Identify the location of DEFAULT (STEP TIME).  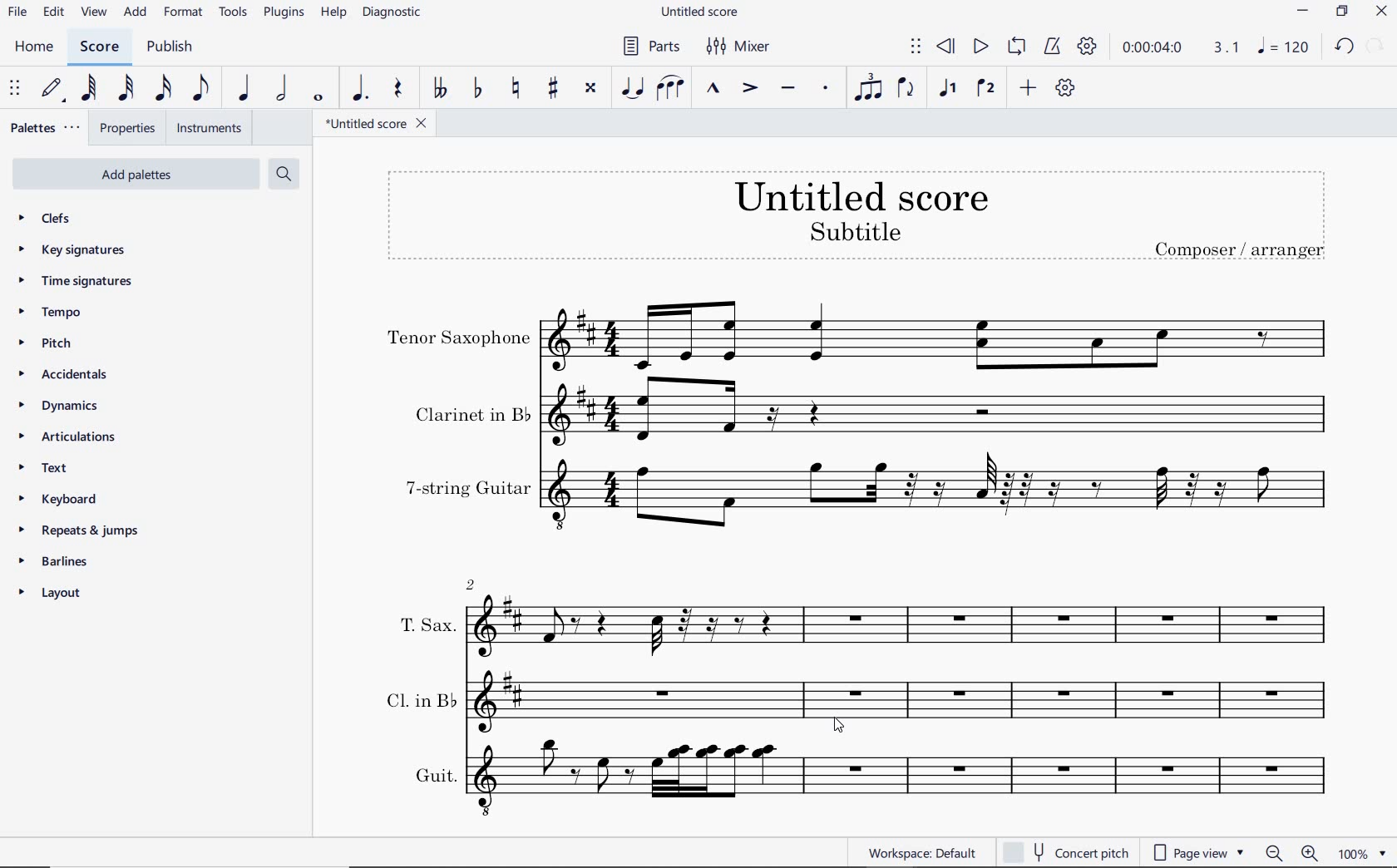
(51, 89).